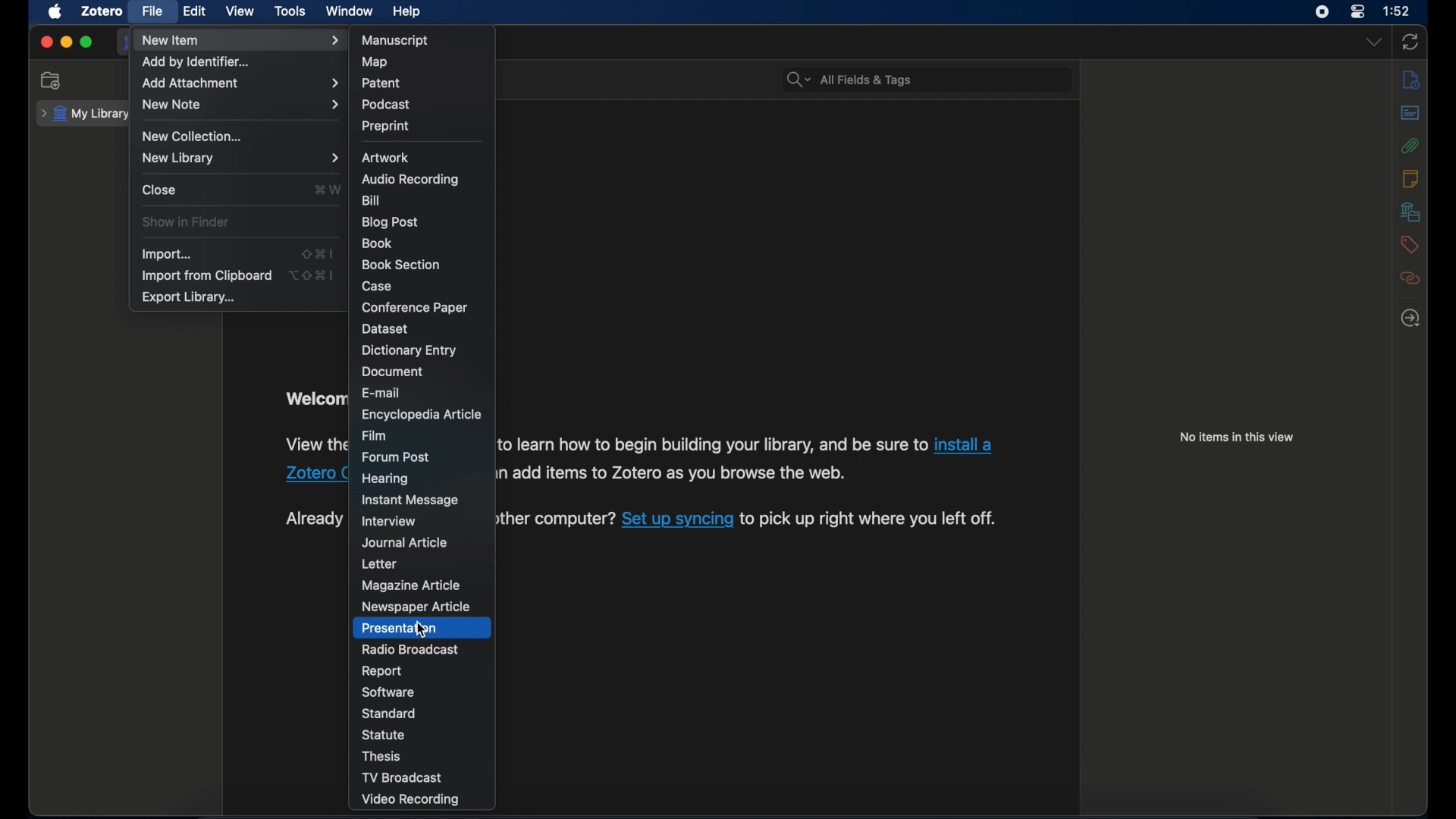 Image resolution: width=1456 pixels, height=819 pixels. Describe the element at coordinates (377, 243) in the screenshot. I see `book` at that location.